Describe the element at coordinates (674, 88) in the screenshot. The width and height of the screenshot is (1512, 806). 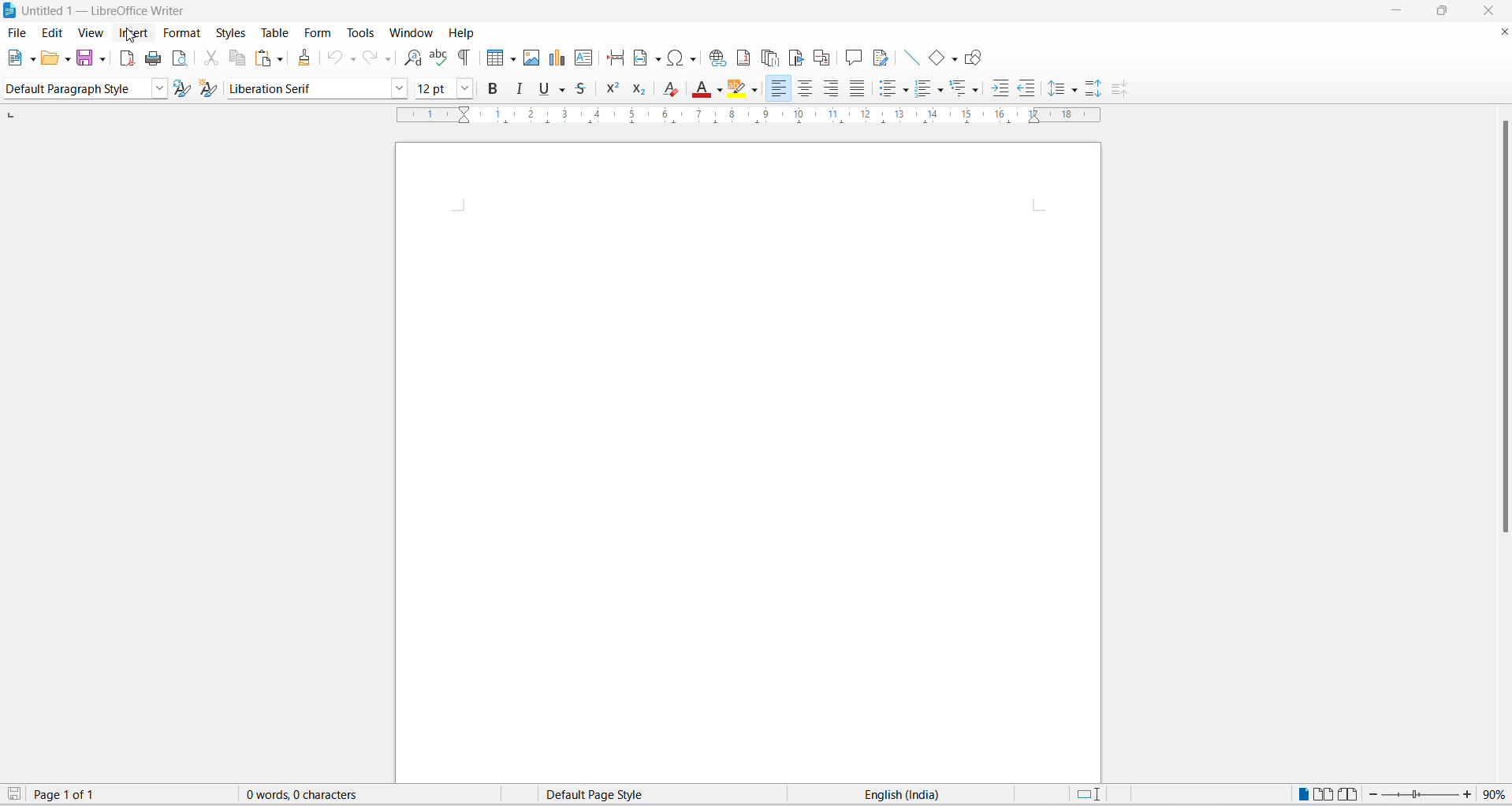
I see `clear direct formatting` at that location.